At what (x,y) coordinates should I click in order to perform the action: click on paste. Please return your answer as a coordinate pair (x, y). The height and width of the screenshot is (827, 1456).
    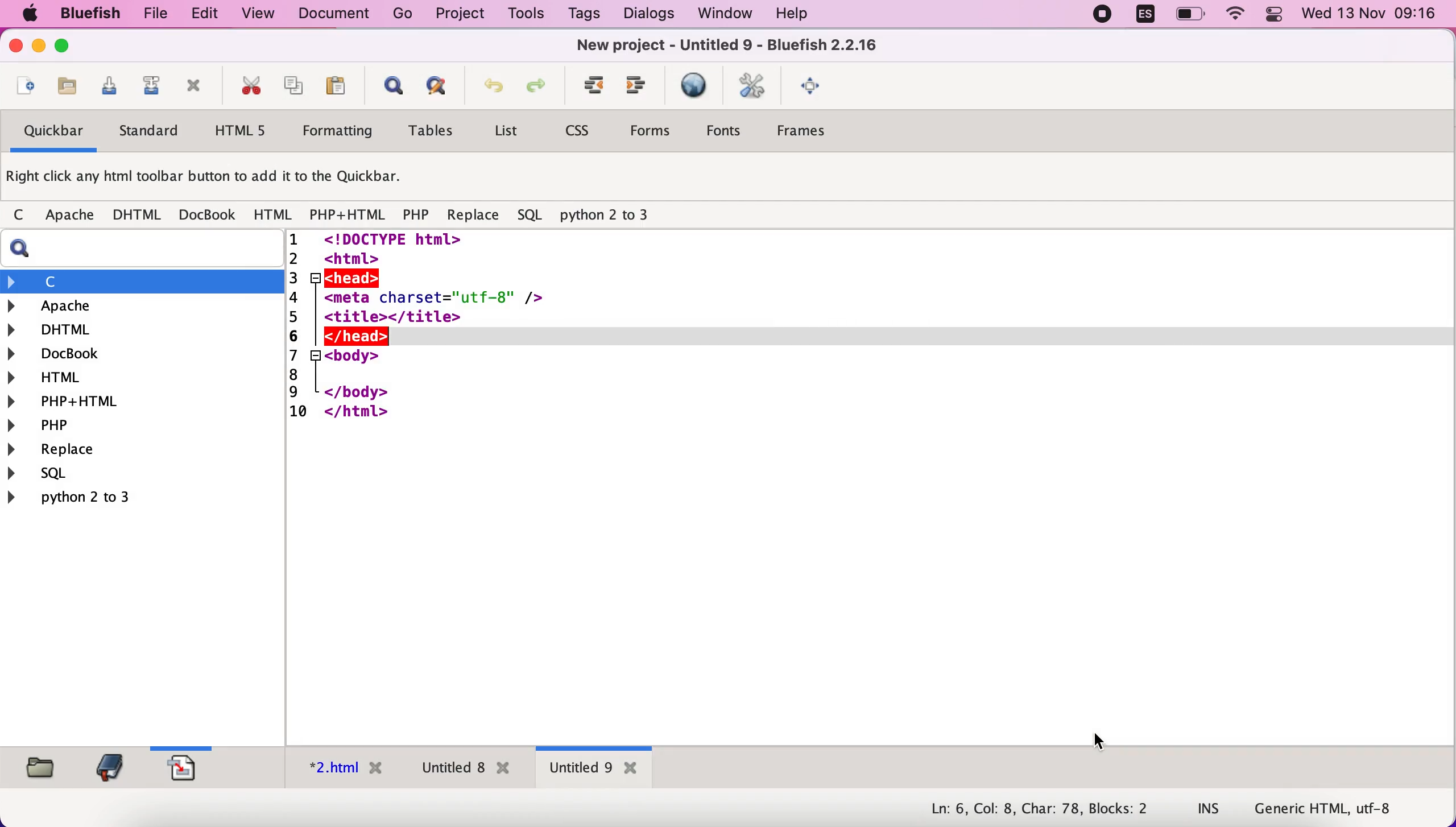
    Looking at the image, I should click on (334, 88).